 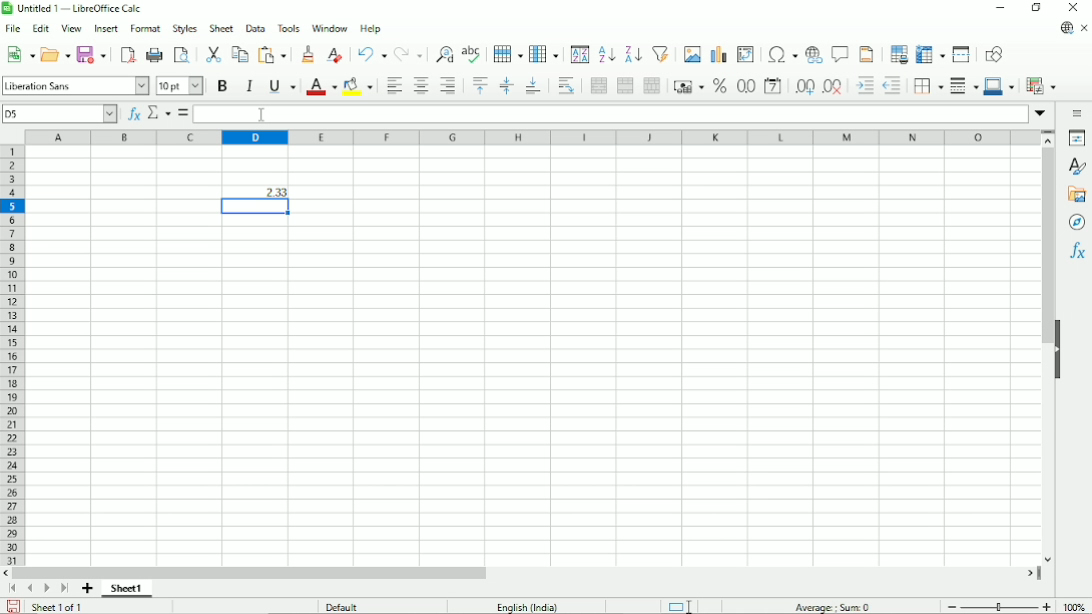 I want to click on Active cell, so click(x=255, y=206).